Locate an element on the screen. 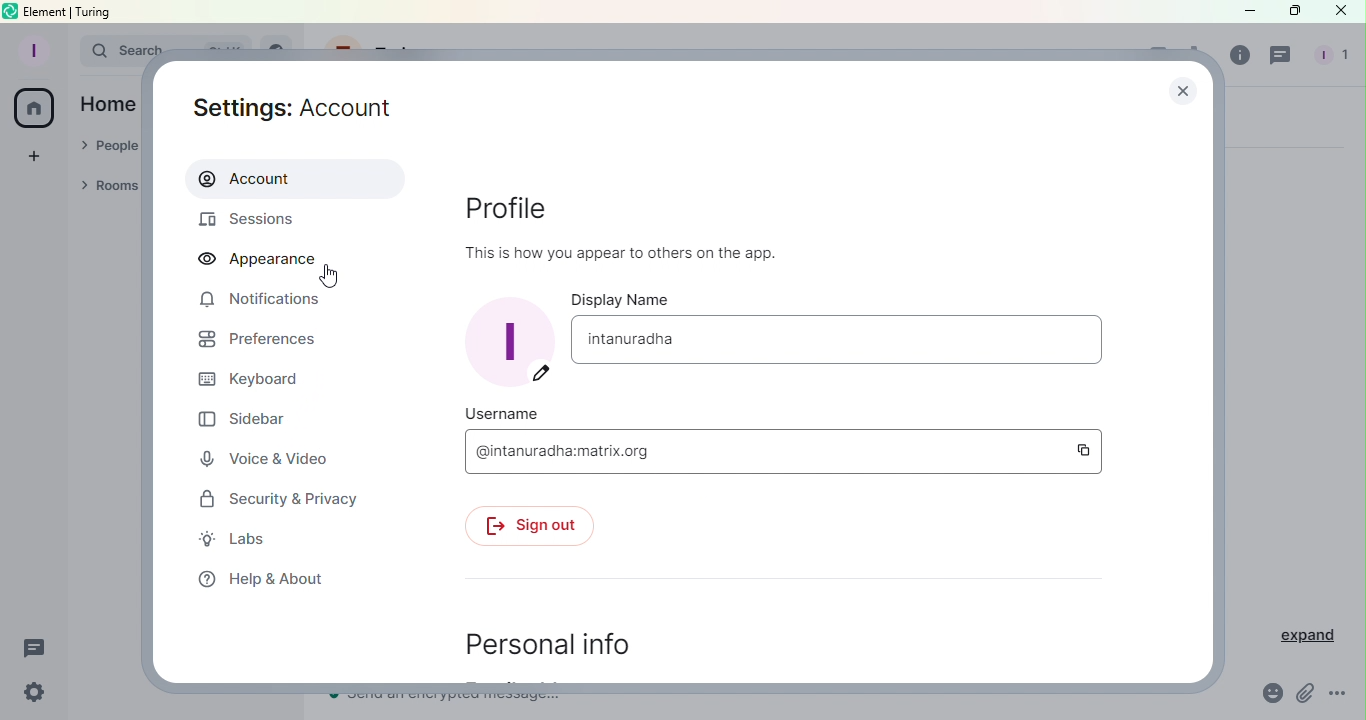 Image resolution: width=1366 pixels, height=720 pixels. Username is located at coordinates (768, 450).